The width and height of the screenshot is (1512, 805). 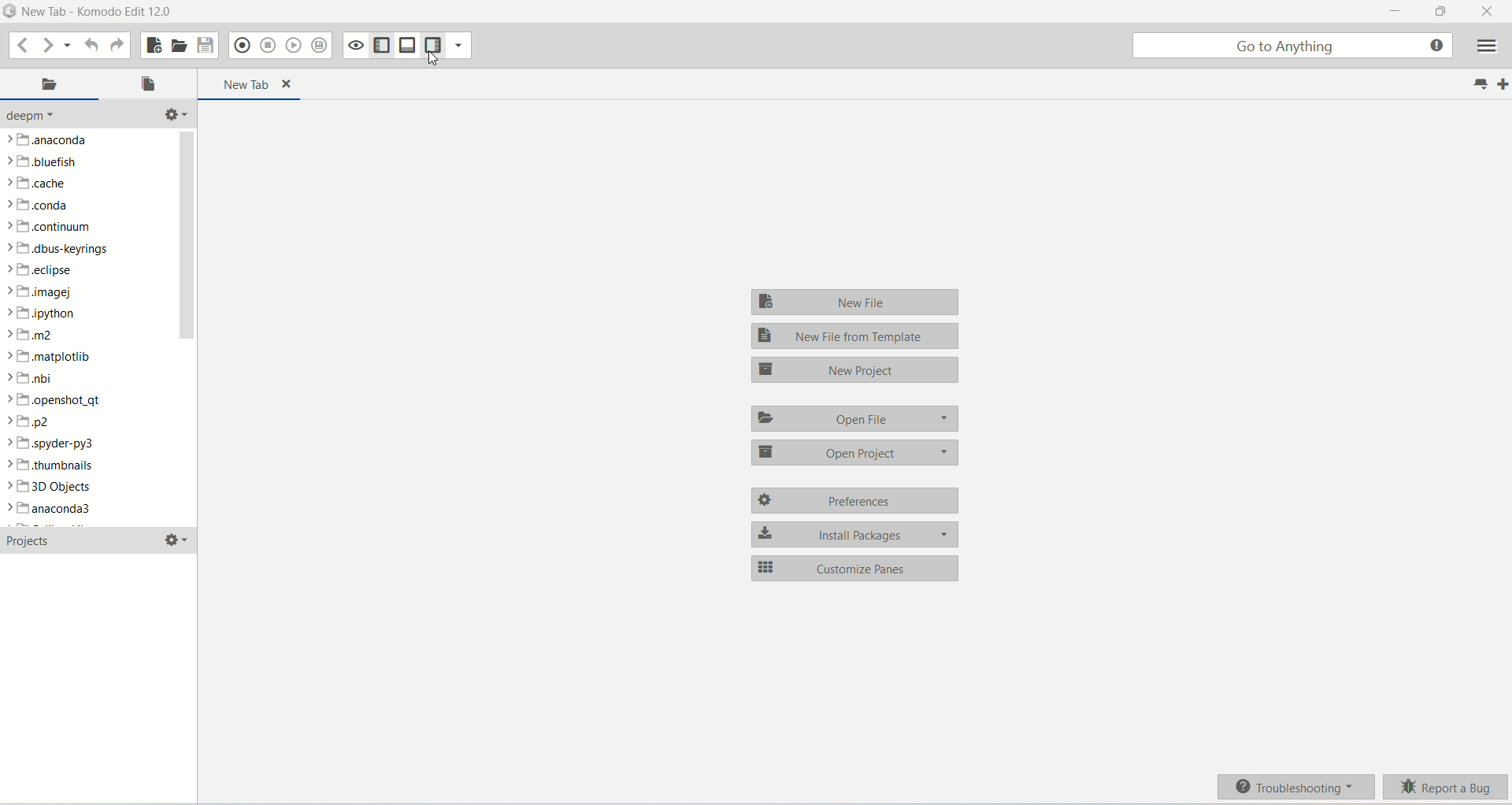 What do you see at coordinates (54, 487) in the screenshot?
I see `3D objects` at bounding box center [54, 487].